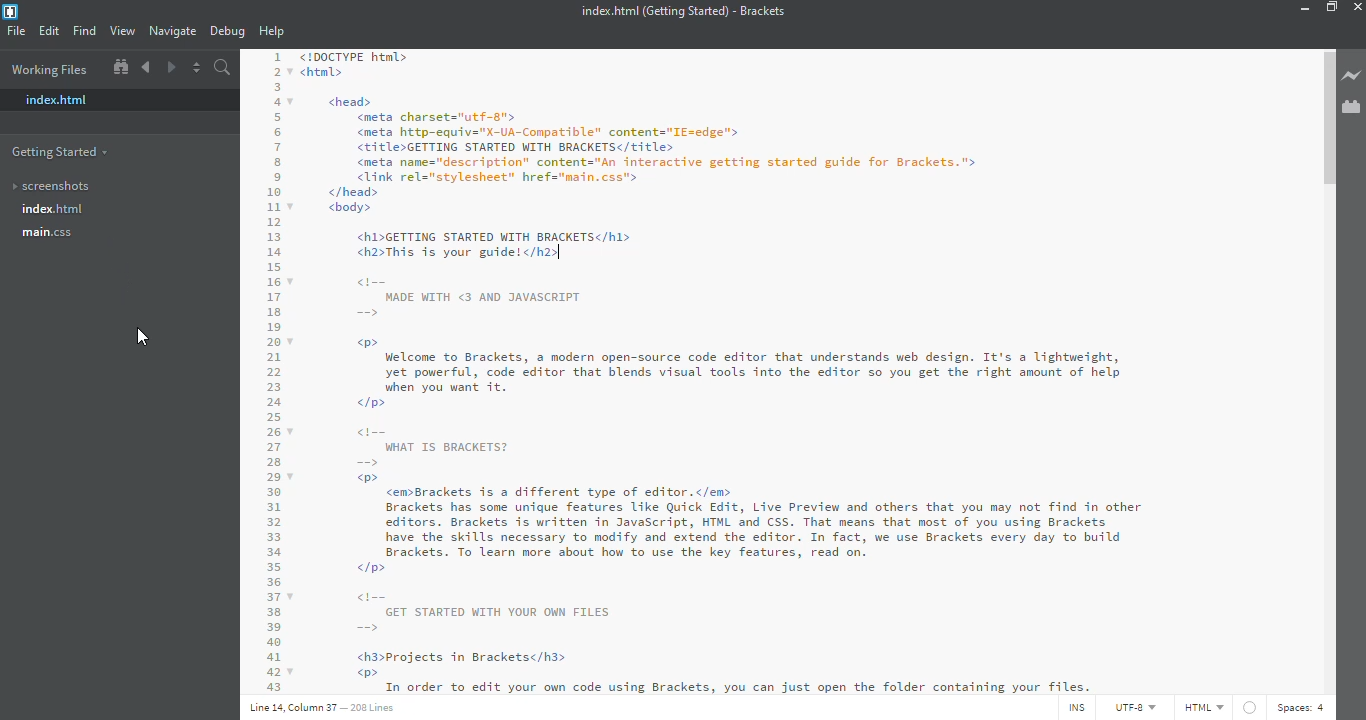 The width and height of the screenshot is (1366, 720). What do you see at coordinates (51, 69) in the screenshot?
I see `working files` at bounding box center [51, 69].